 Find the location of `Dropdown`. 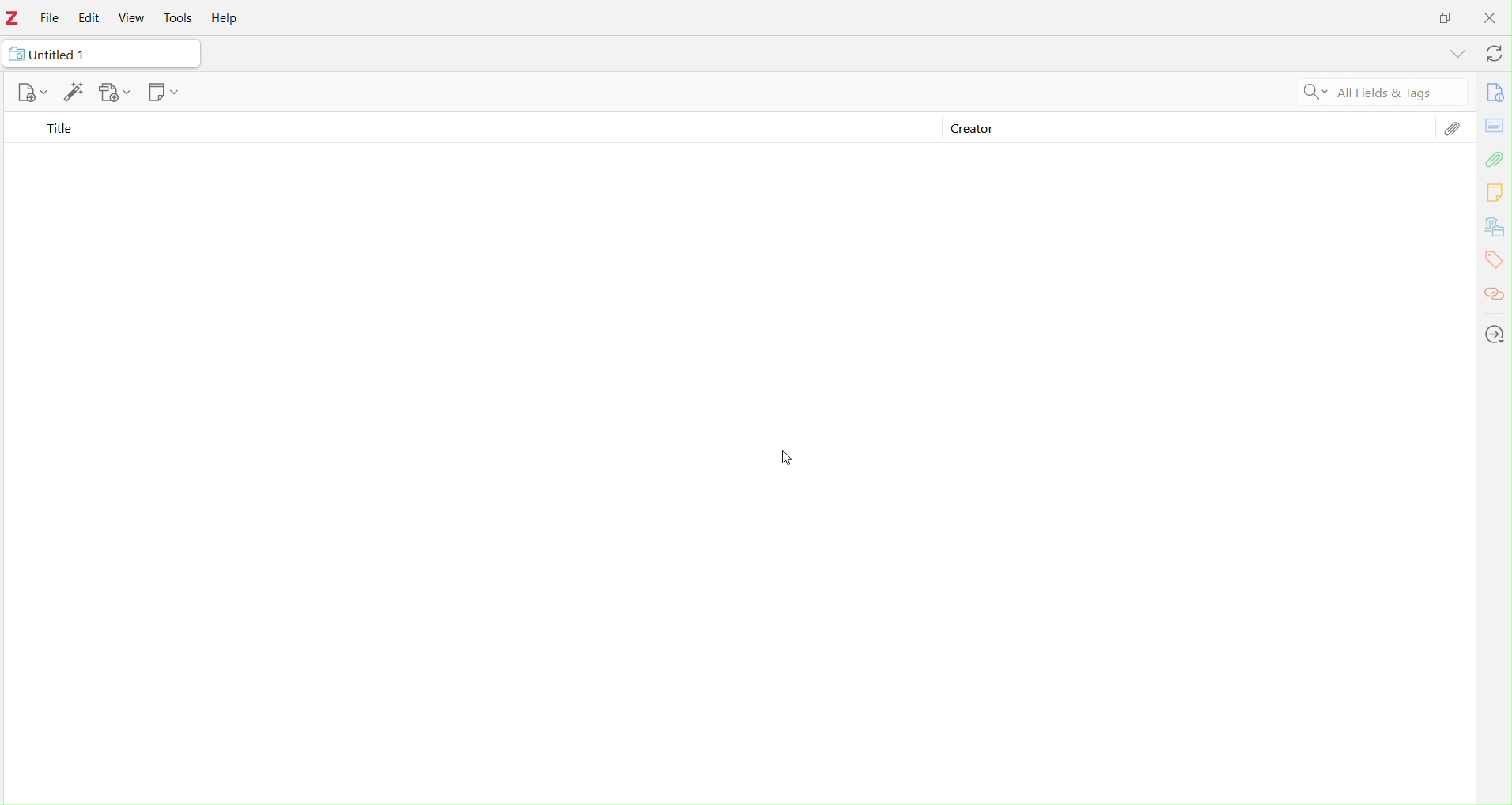

Dropdown is located at coordinates (1453, 55).